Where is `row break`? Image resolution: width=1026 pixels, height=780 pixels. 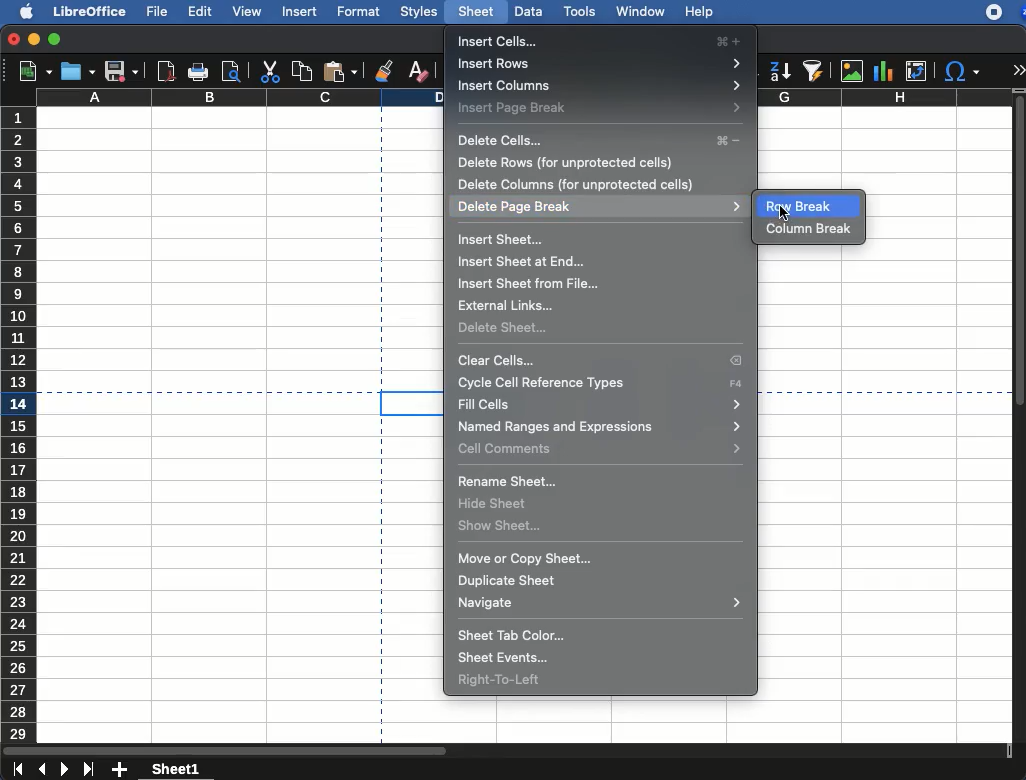
row break is located at coordinates (805, 207).